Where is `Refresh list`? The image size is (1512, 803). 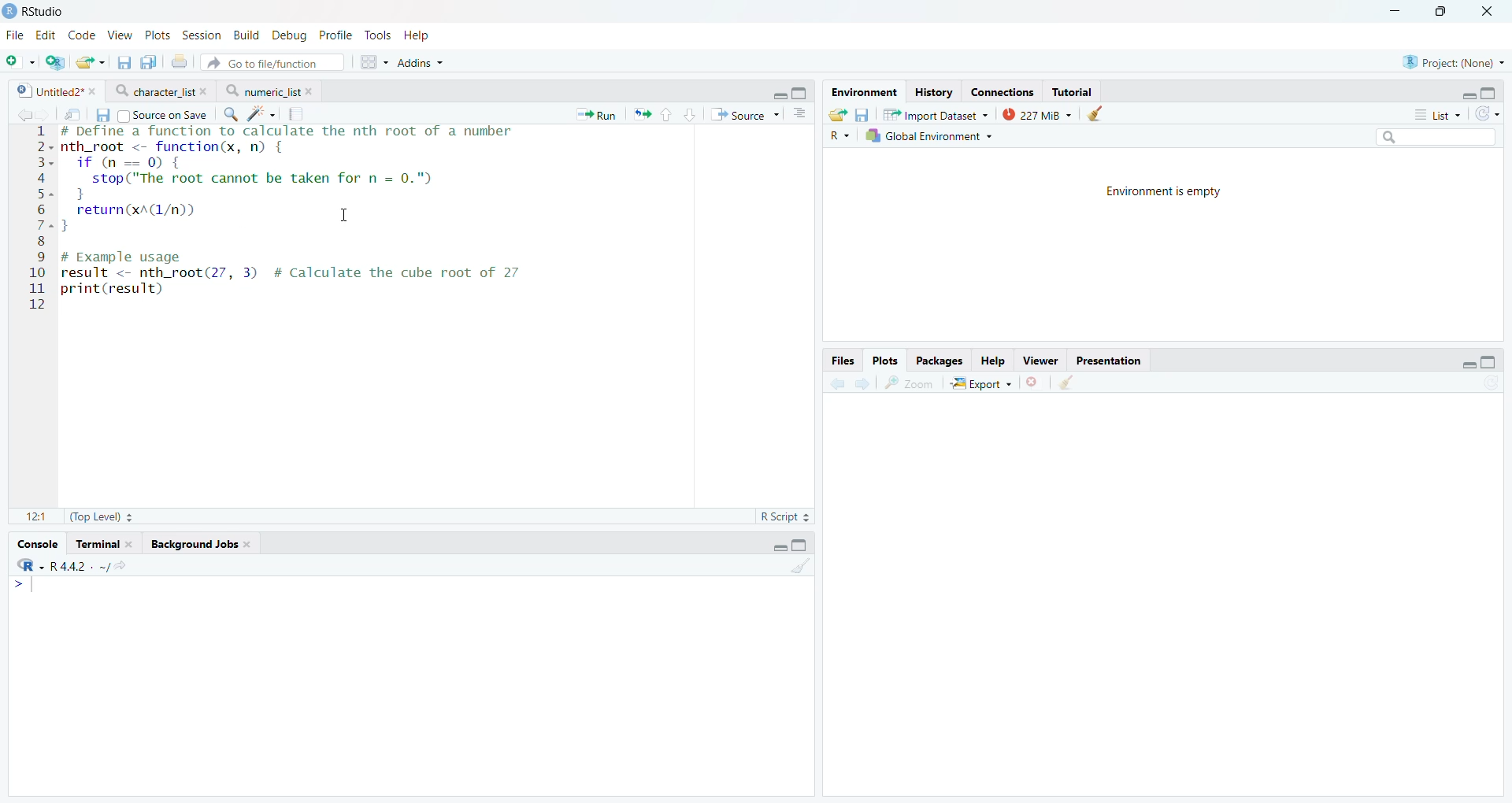
Refresh list is located at coordinates (1487, 113).